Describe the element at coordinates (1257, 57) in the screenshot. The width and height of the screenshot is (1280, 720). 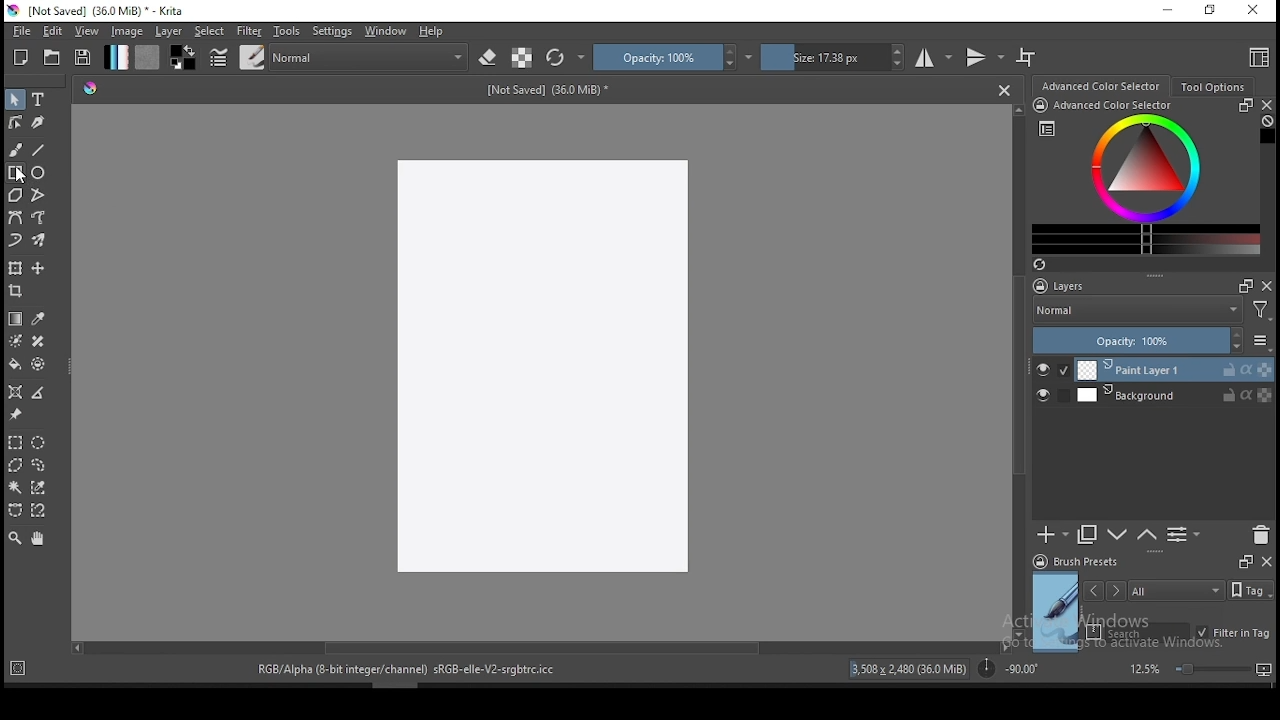
I see `choose workspace` at that location.